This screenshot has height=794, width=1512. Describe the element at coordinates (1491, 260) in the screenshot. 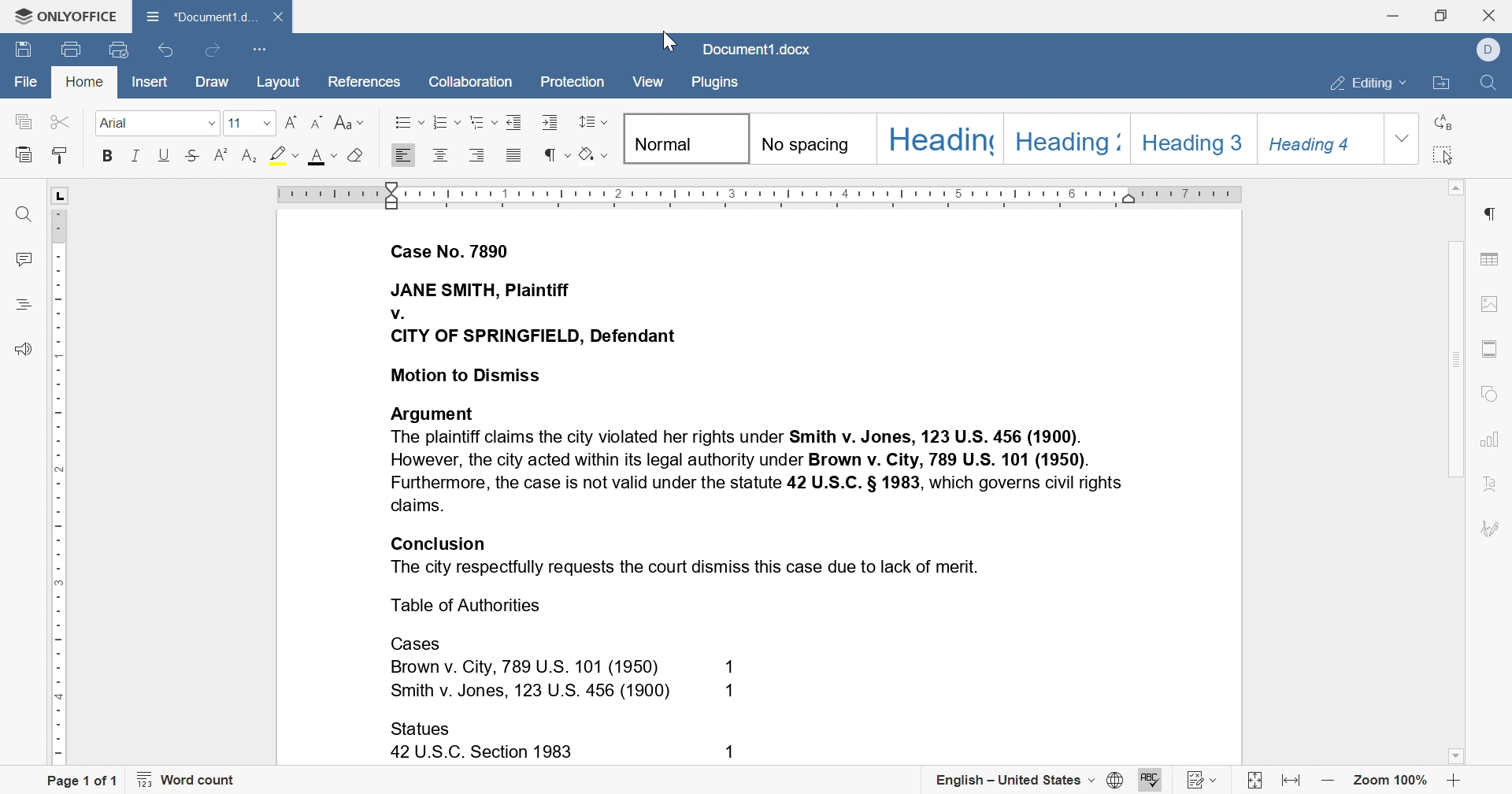

I see `table settings` at that location.